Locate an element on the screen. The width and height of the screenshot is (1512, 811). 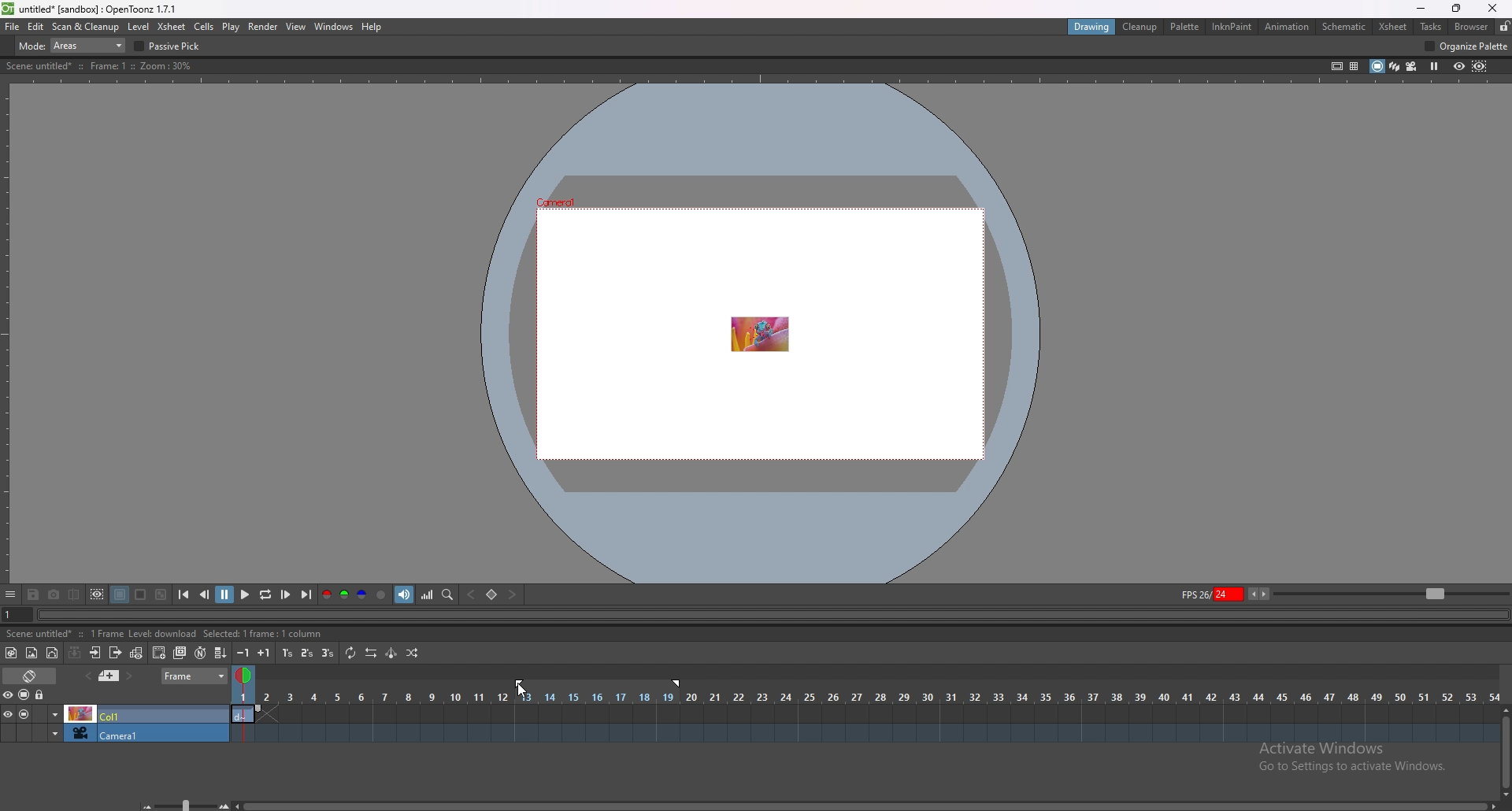
cursor is located at coordinates (517, 692).